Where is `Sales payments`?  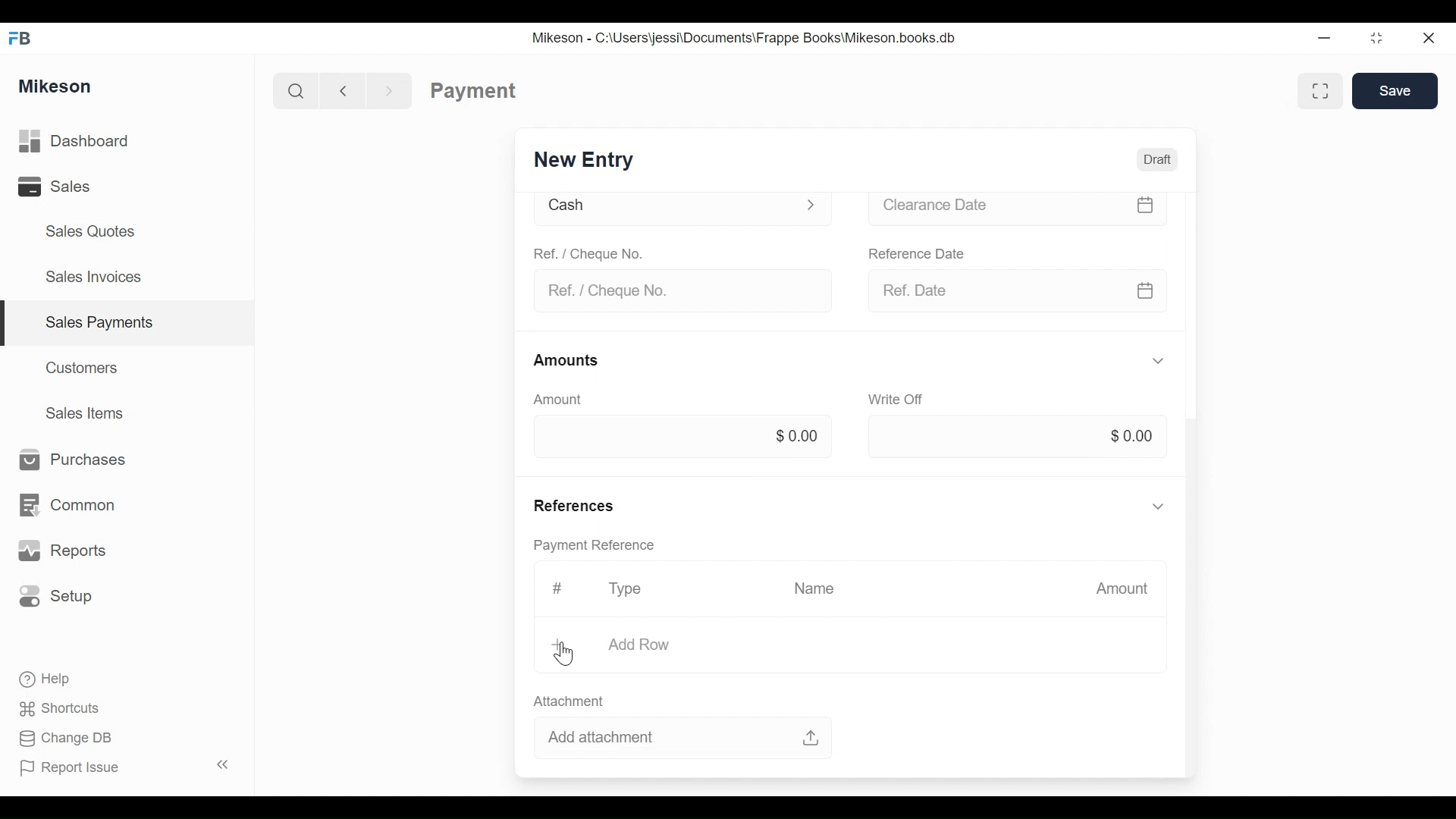
Sales payments is located at coordinates (102, 322).